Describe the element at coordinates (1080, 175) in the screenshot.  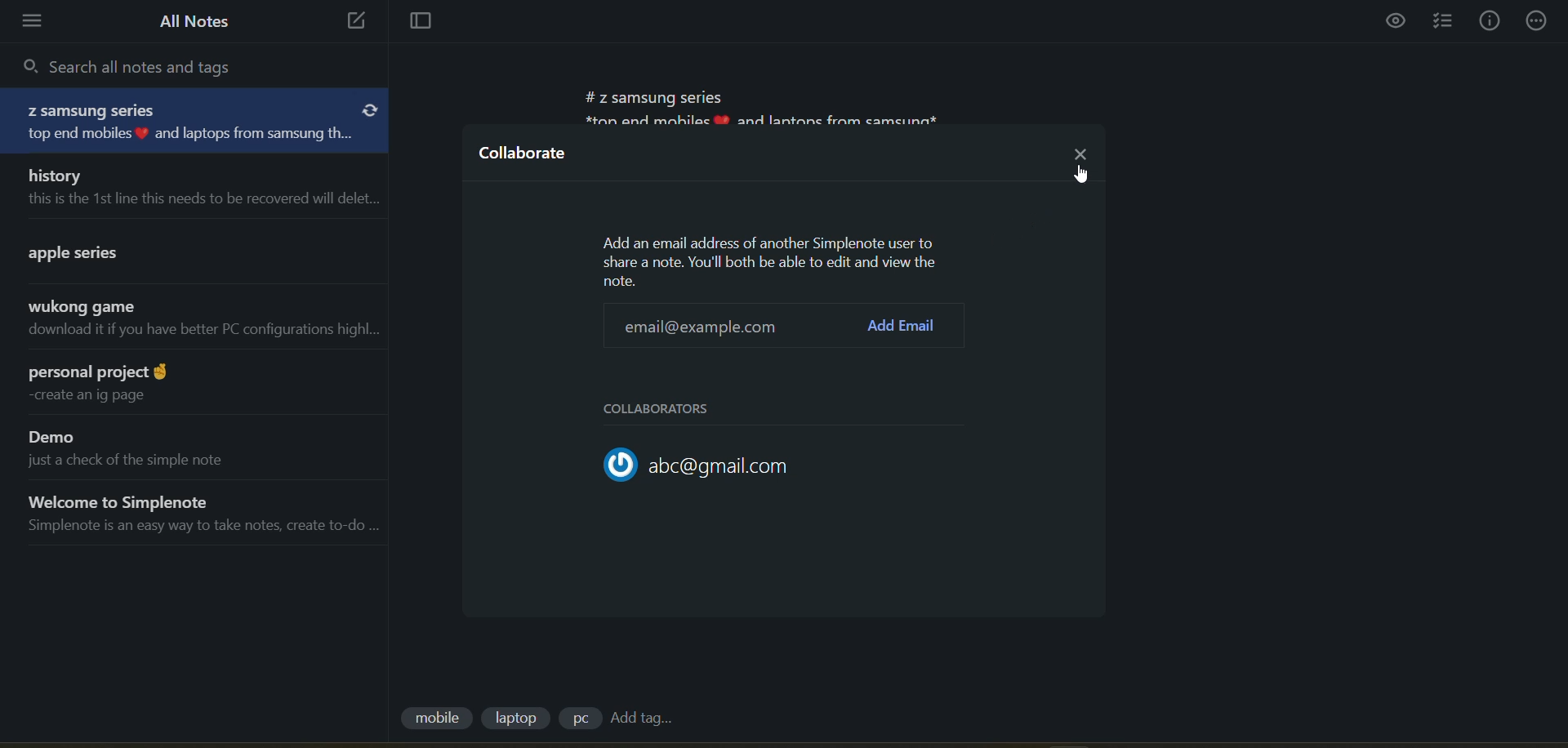
I see `cursor` at that location.